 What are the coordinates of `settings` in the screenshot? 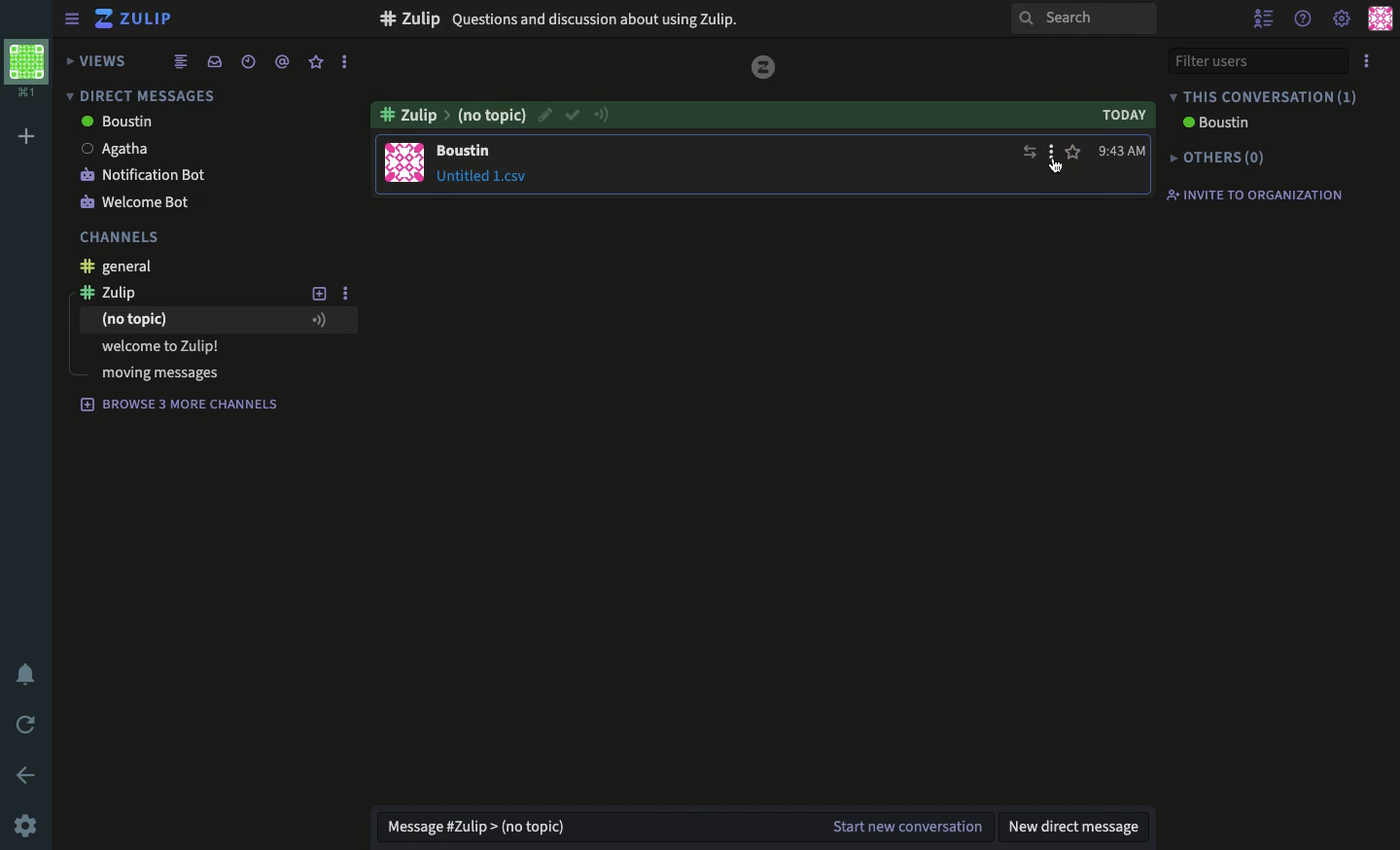 It's located at (28, 824).